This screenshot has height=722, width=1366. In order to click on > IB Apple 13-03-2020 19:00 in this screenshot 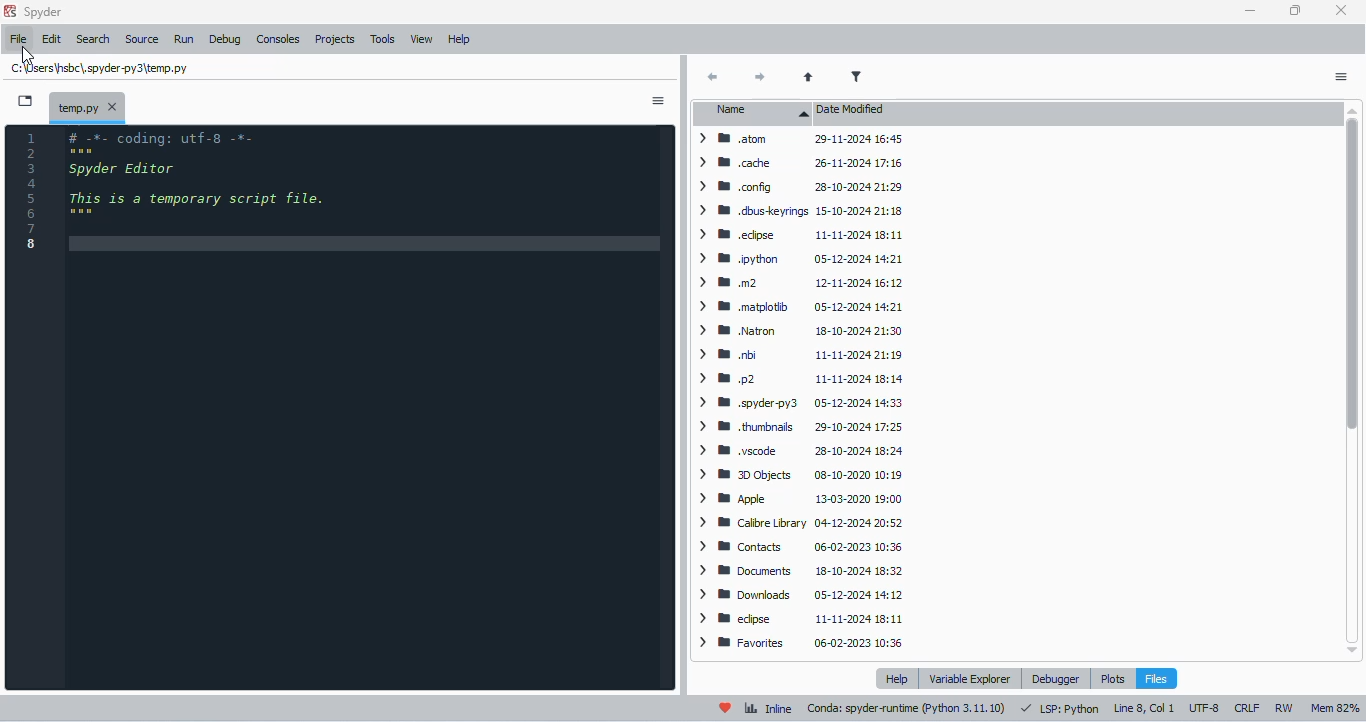, I will do `click(798, 499)`.